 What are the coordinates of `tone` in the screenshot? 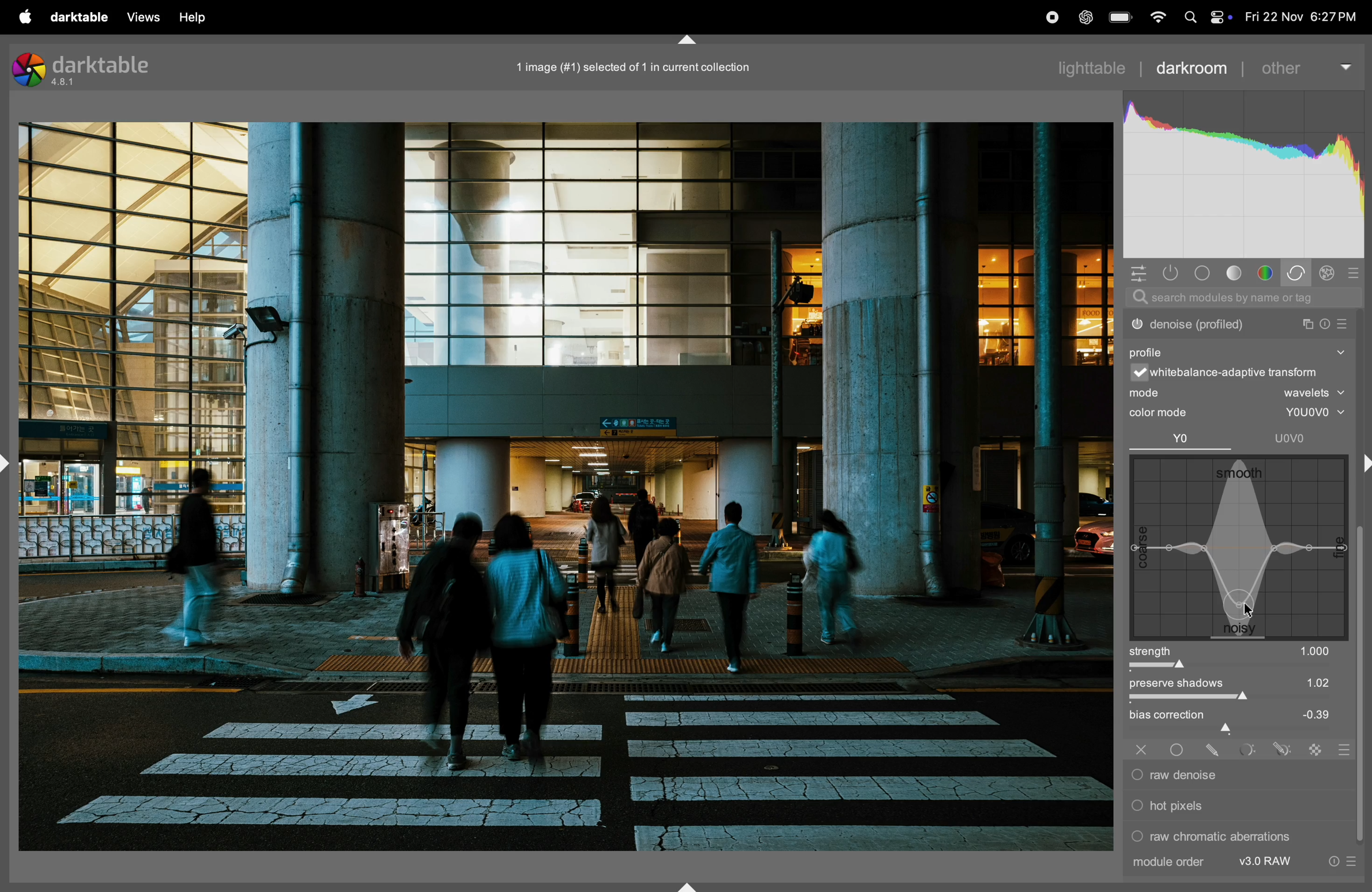 It's located at (1236, 273).